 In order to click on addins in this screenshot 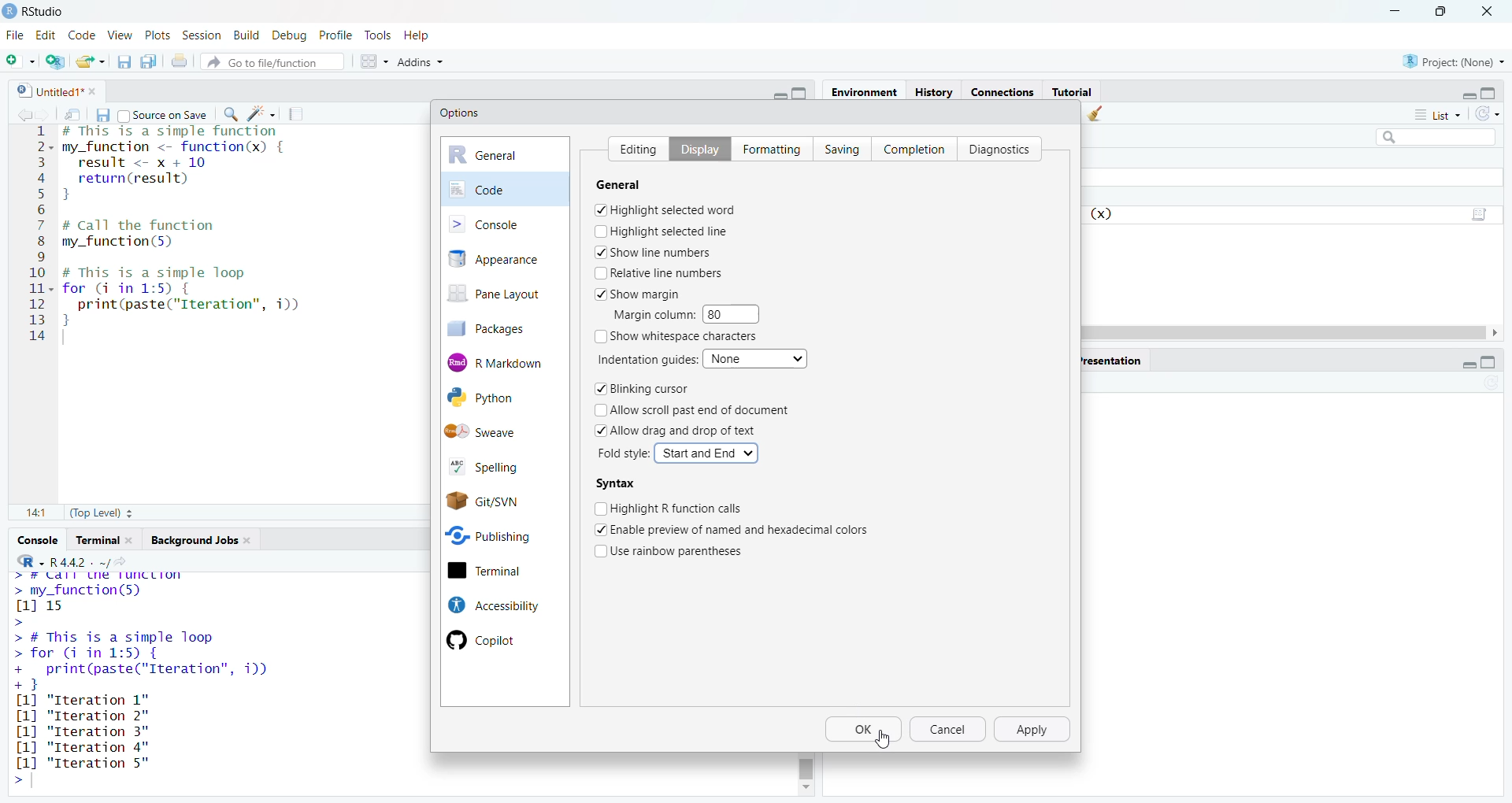, I will do `click(421, 61)`.